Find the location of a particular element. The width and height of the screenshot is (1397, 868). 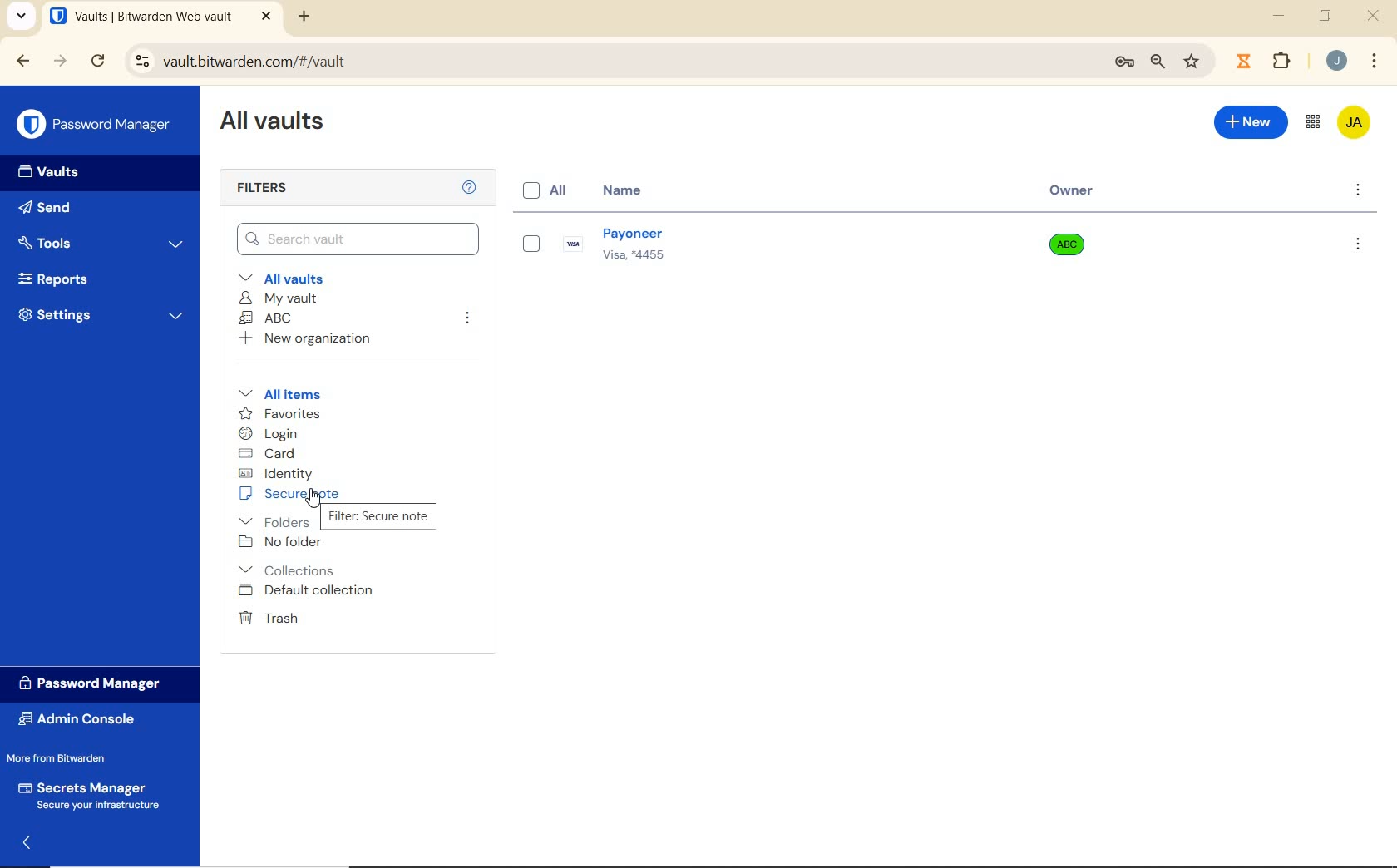

card is located at coordinates (269, 453).